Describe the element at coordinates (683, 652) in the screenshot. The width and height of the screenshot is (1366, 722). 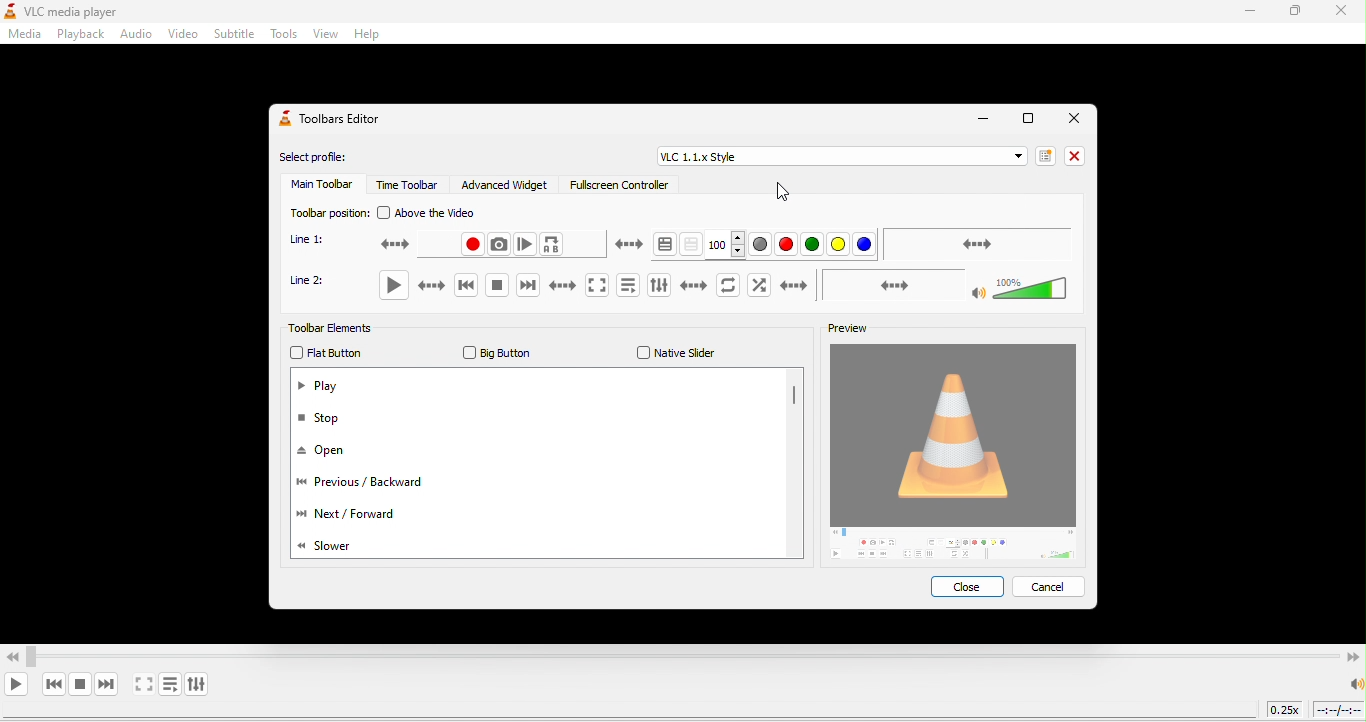
I see `Video Scrollbar` at that location.